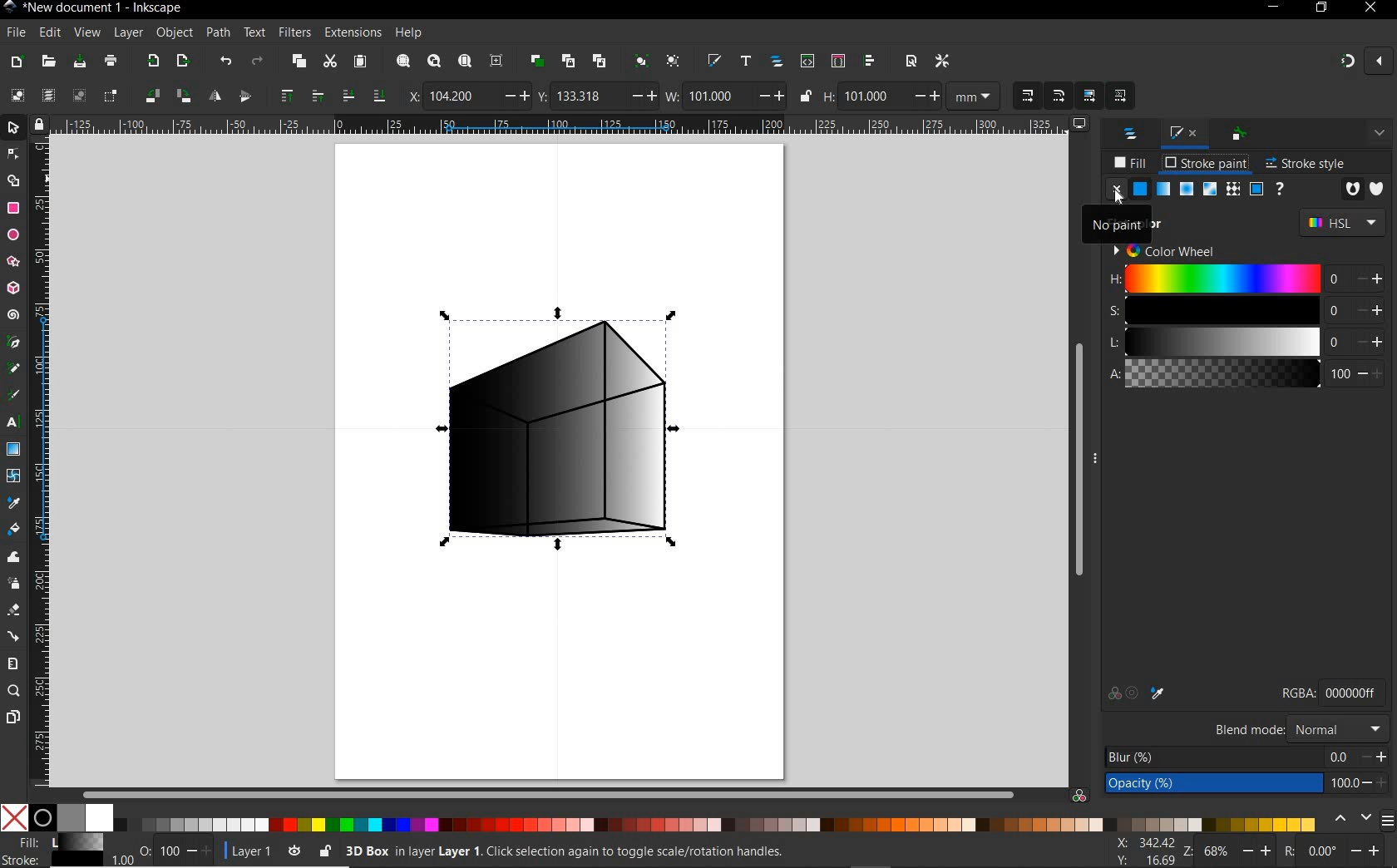  Describe the element at coordinates (1381, 135) in the screenshot. I see `EXPAND` at that location.